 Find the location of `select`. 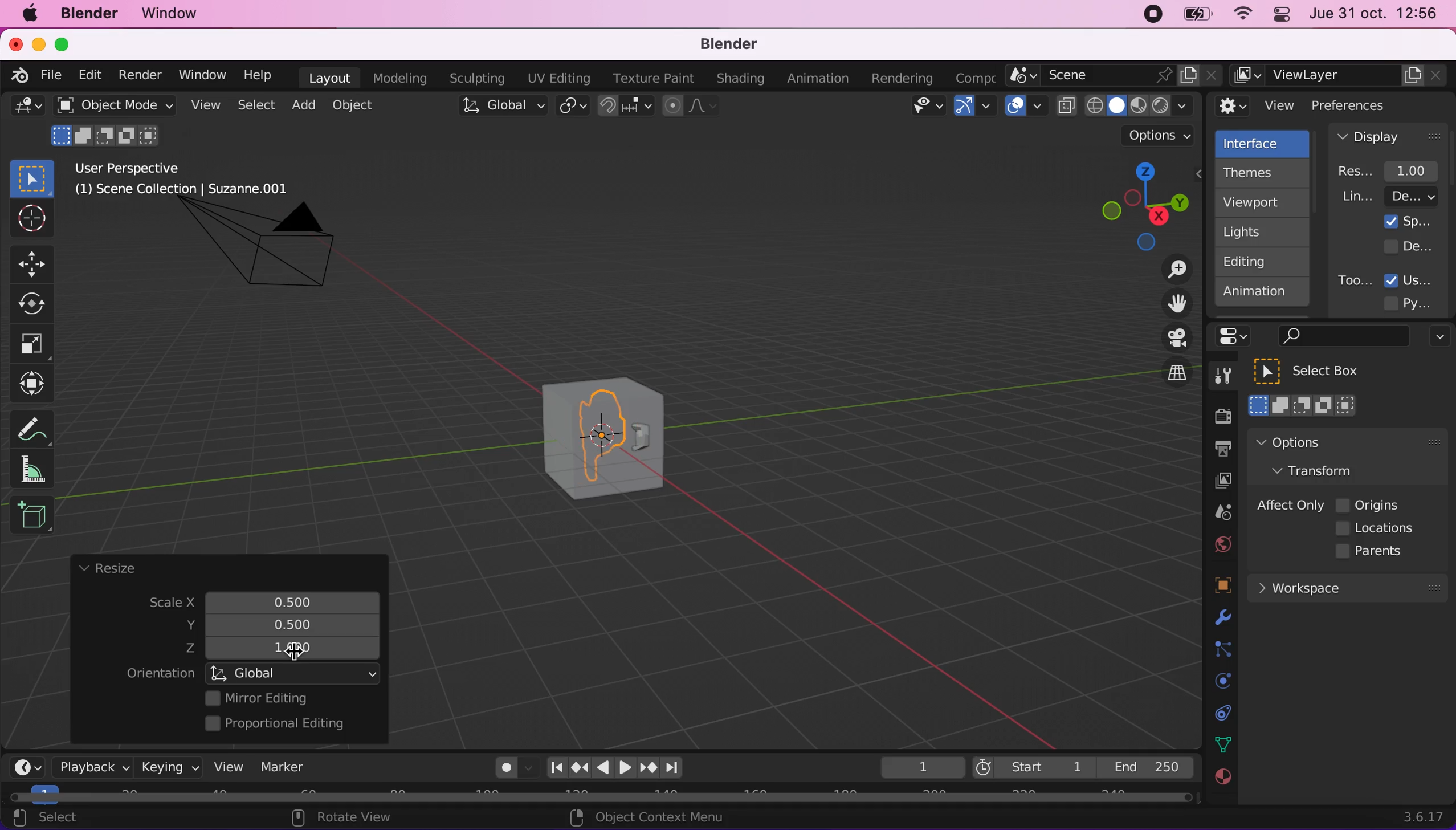

select is located at coordinates (255, 106).